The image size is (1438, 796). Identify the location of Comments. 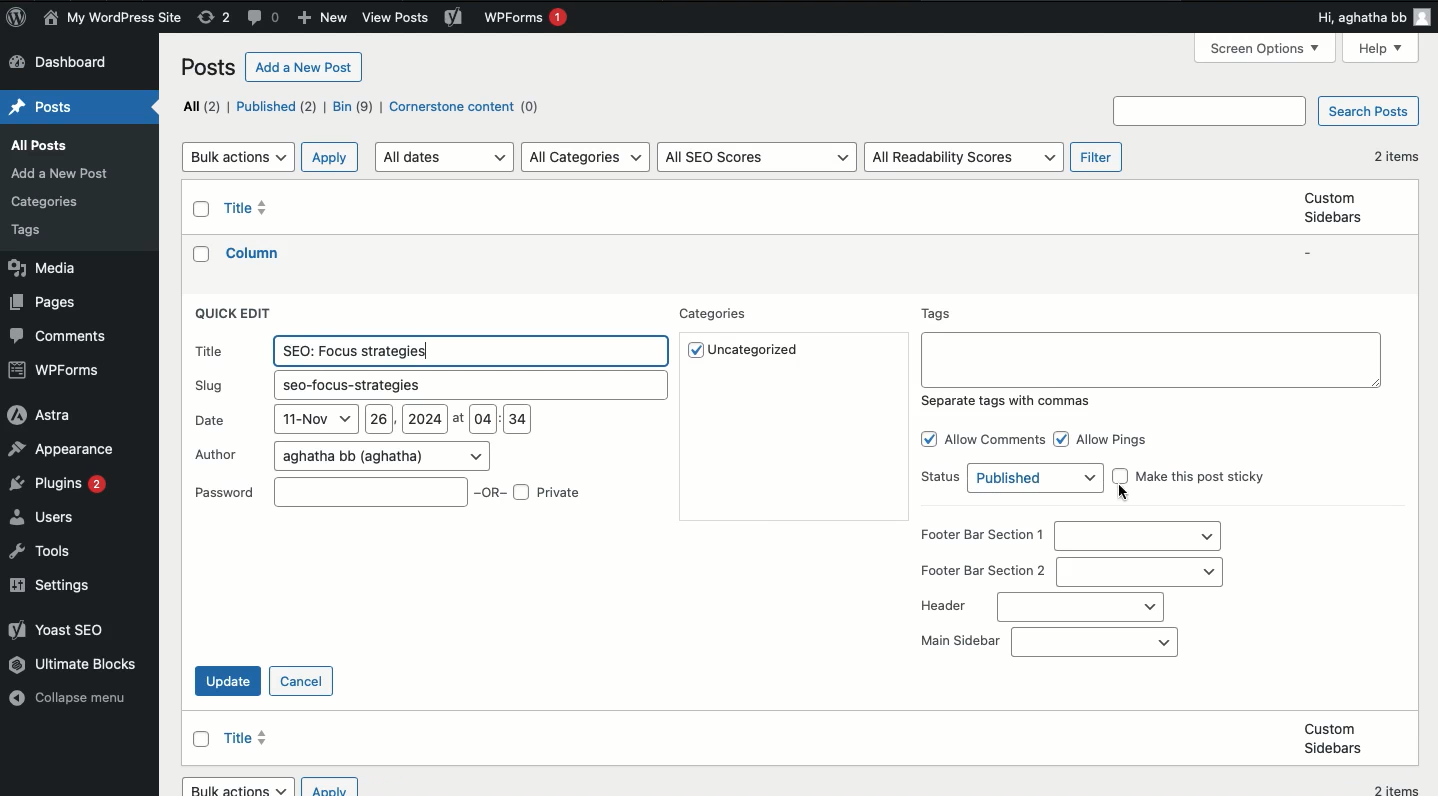
(57, 336).